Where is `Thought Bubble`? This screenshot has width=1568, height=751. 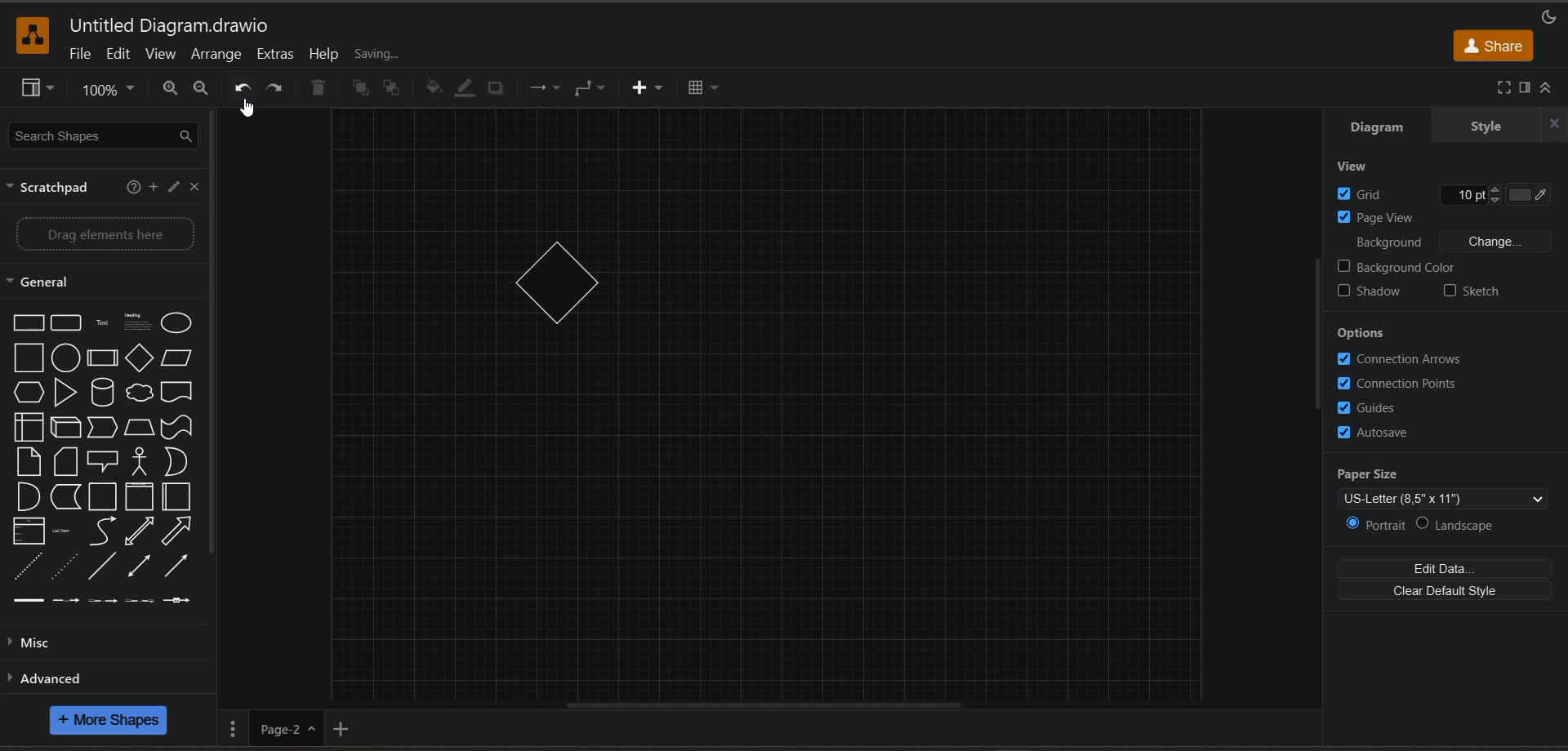
Thought Bubble is located at coordinates (139, 395).